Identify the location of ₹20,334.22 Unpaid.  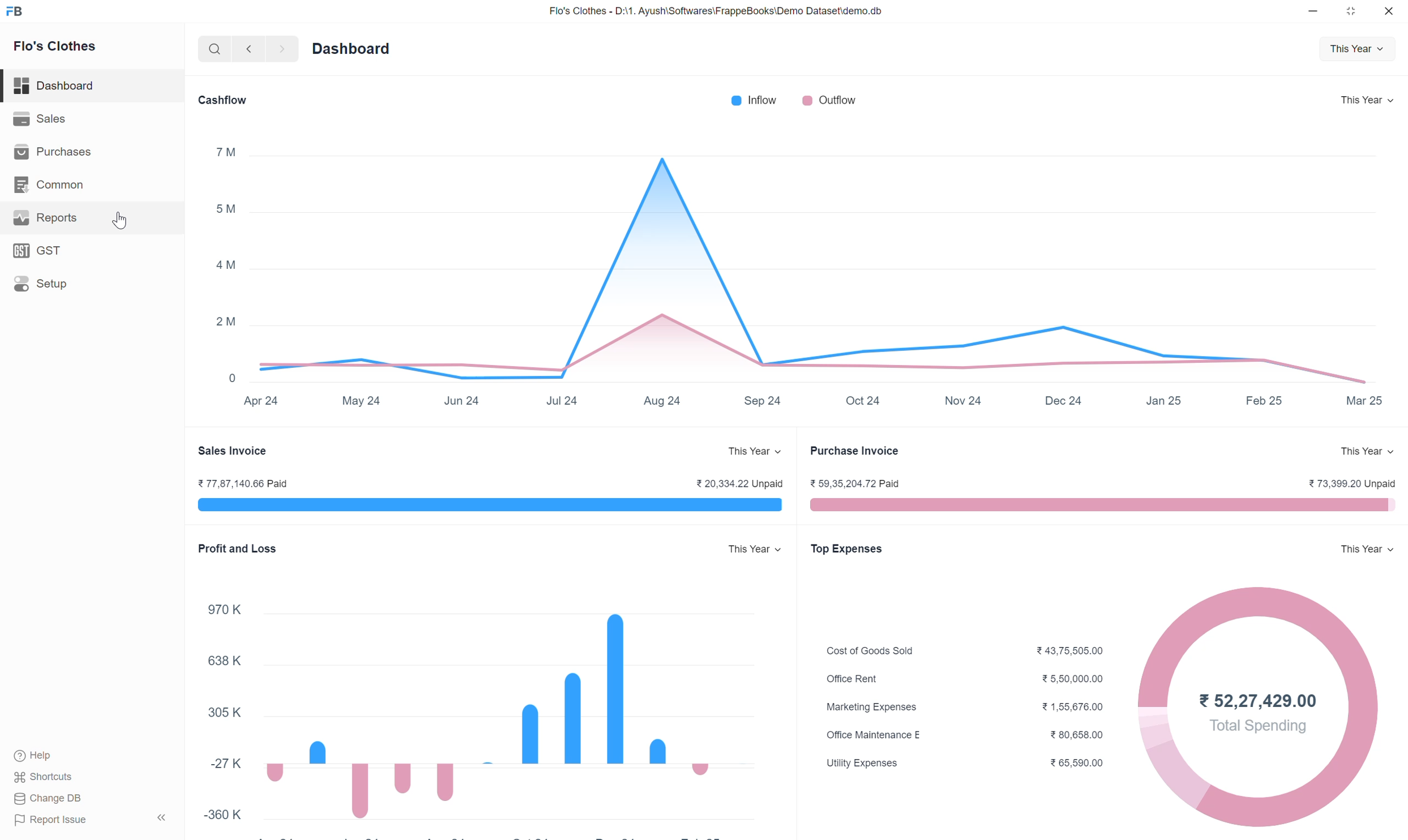
(735, 482).